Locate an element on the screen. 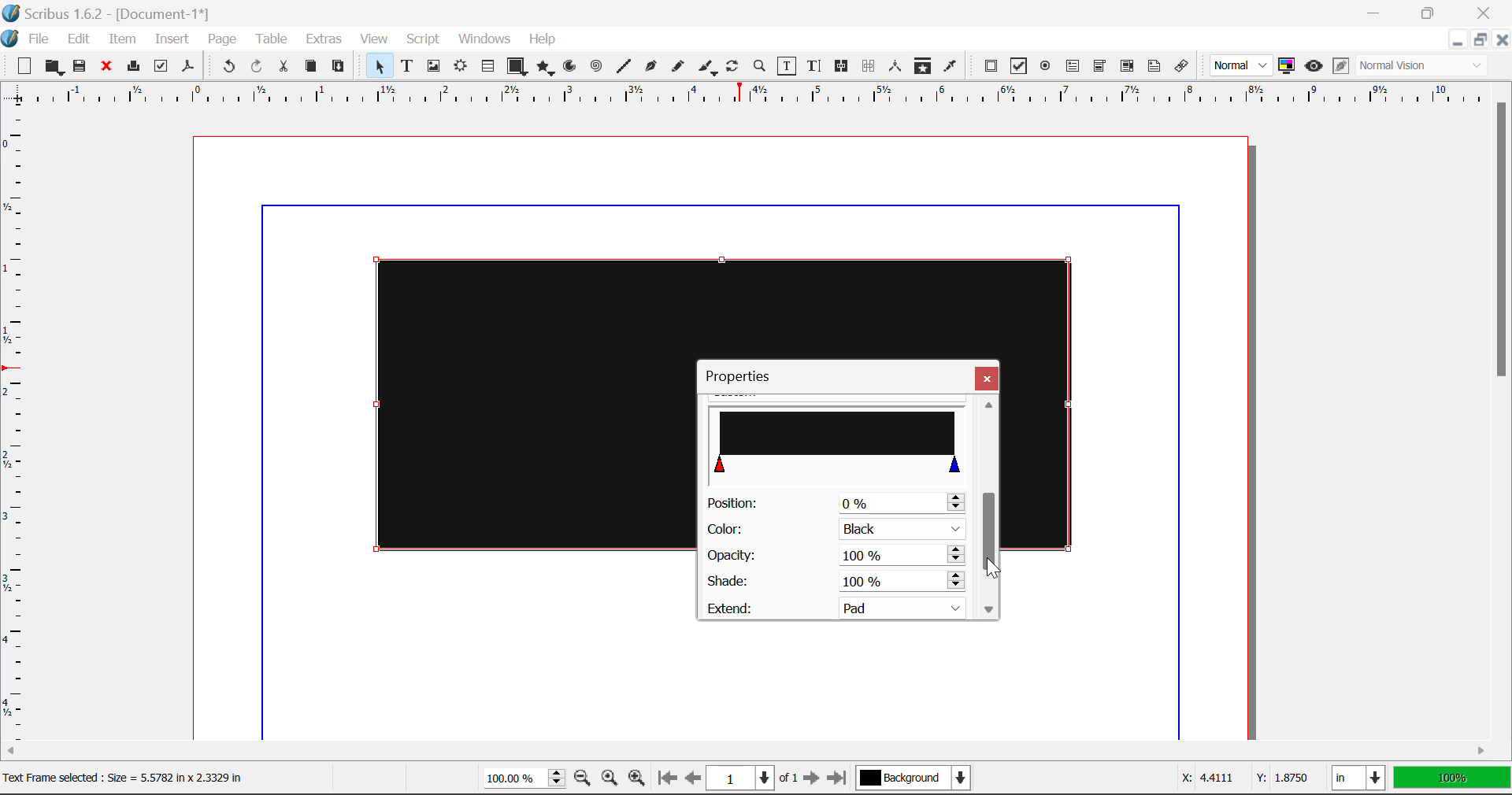 The height and width of the screenshot is (795, 1512). Text Frame Color Changed is located at coordinates (510, 403).